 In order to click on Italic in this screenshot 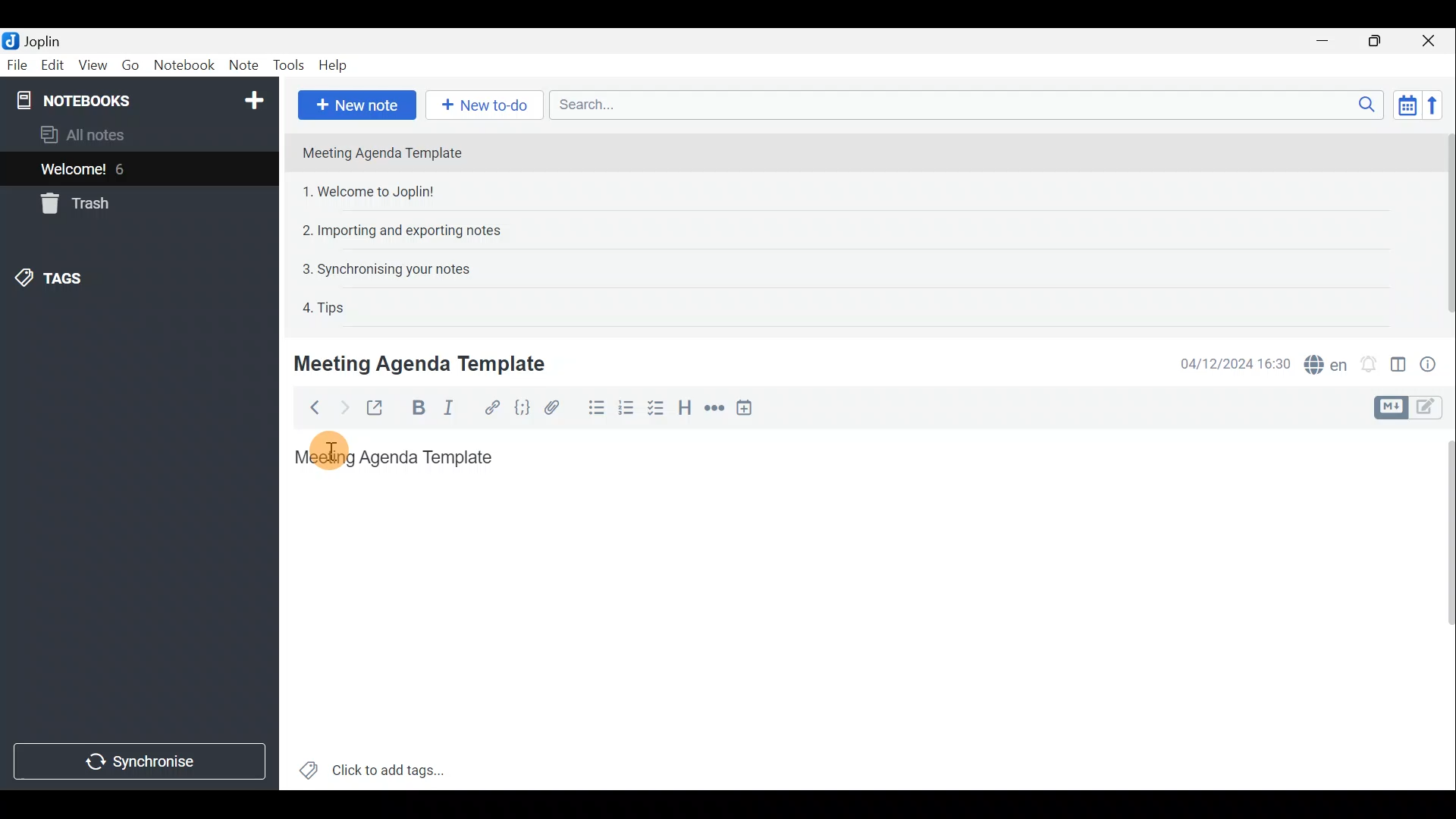, I will do `click(457, 409)`.